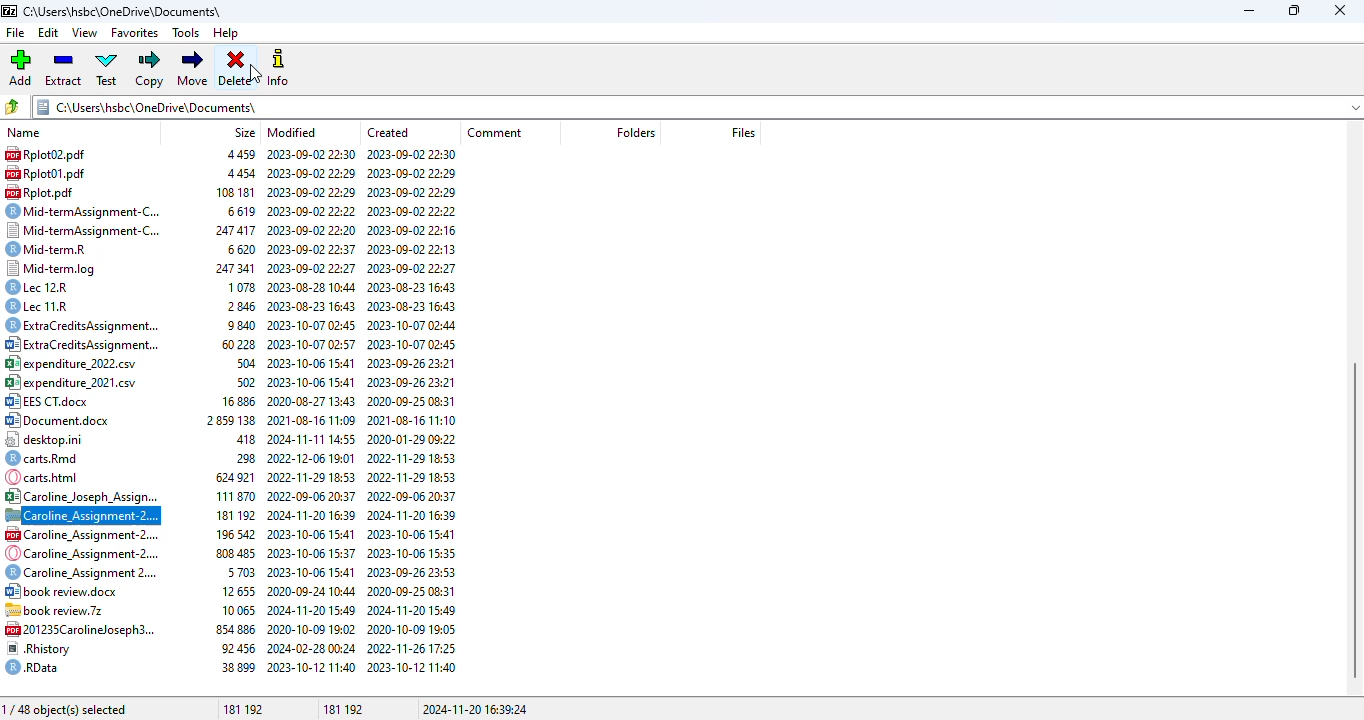 Image resolution: width=1364 pixels, height=720 pixels. Describe the element at coordinates (698, 107) in the screenshot. I see `C:\Users\hsbc\OneDrive\Documents\` at that location.